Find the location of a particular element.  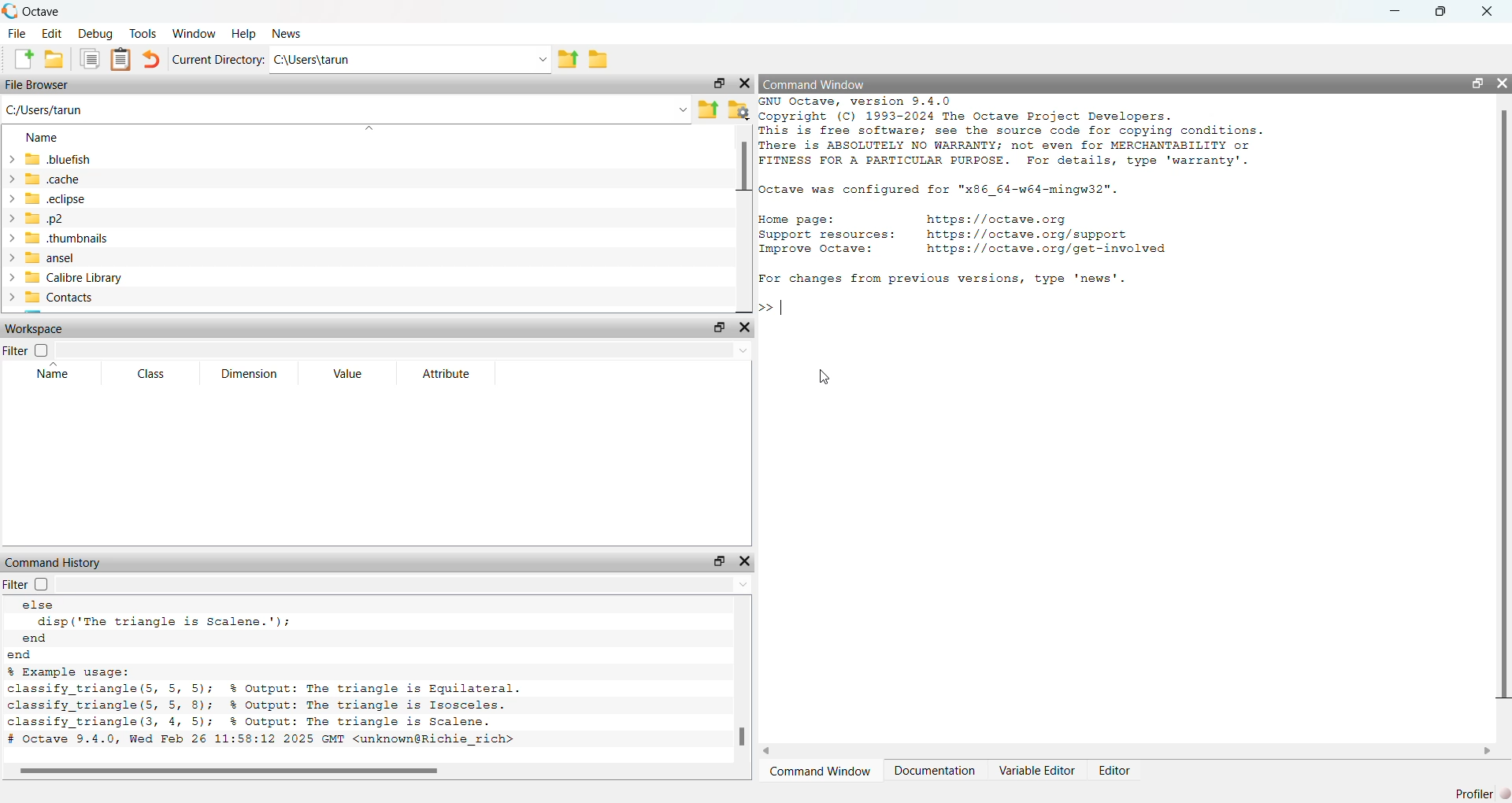

unlock widget is located at coordinates (716, 561).